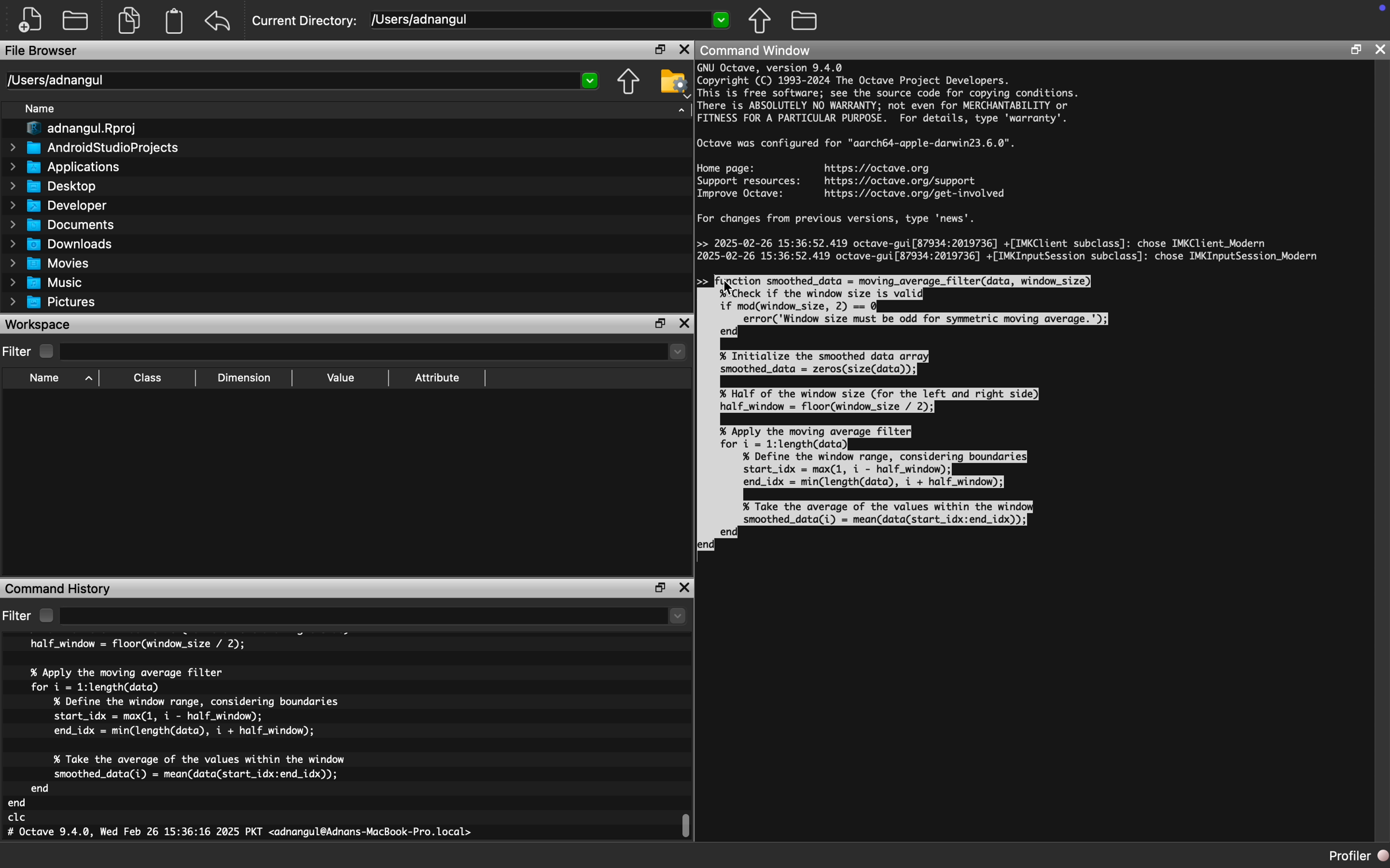 Image resolution: width=1390 pixels, height=868 pixels. What do you see at coordinates (1355, 49) in the screenshot?
I see `Restore Down` at bounding box center [1355, 49].